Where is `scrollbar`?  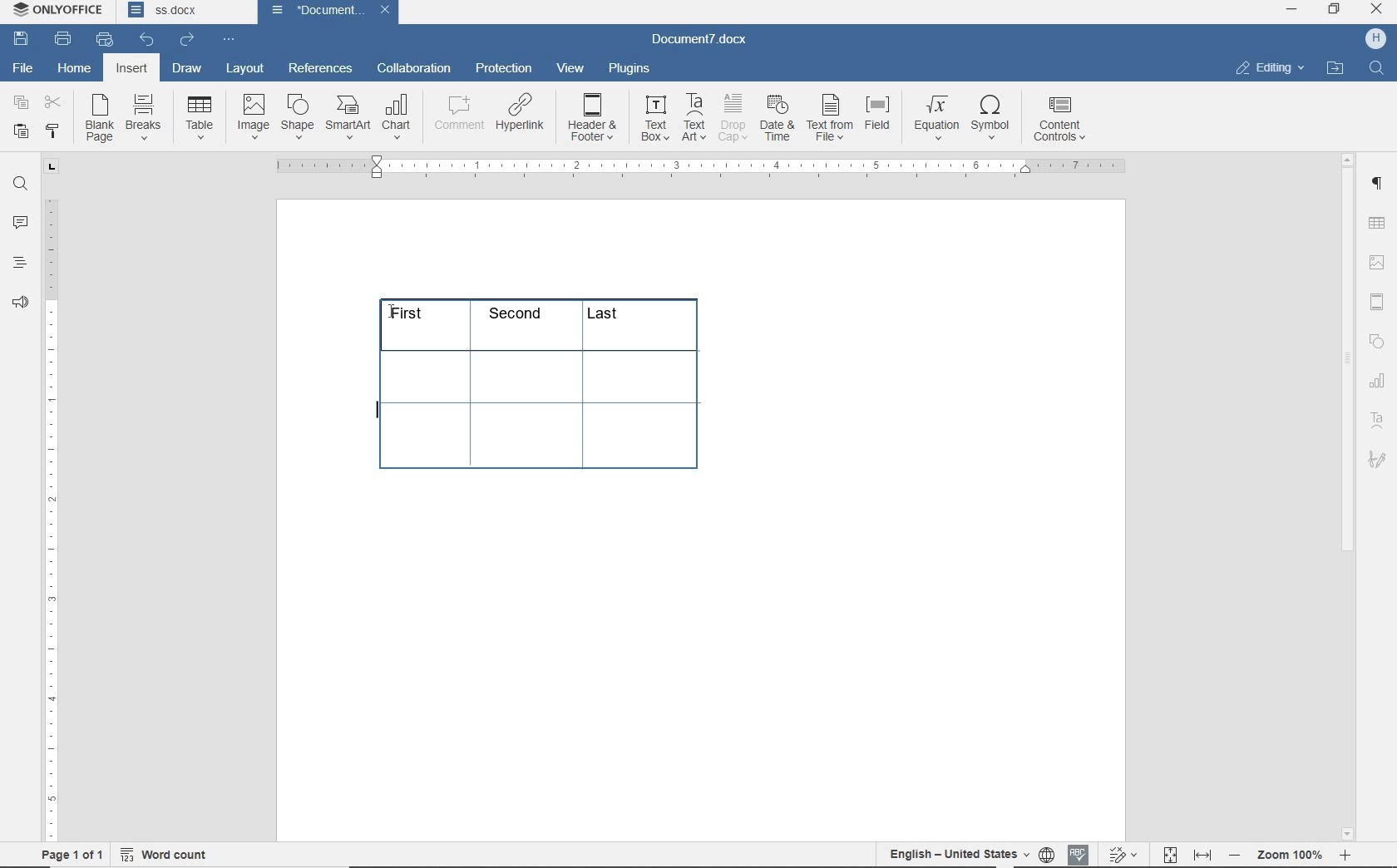
scrollbar is located at coordinates (1348, 496).